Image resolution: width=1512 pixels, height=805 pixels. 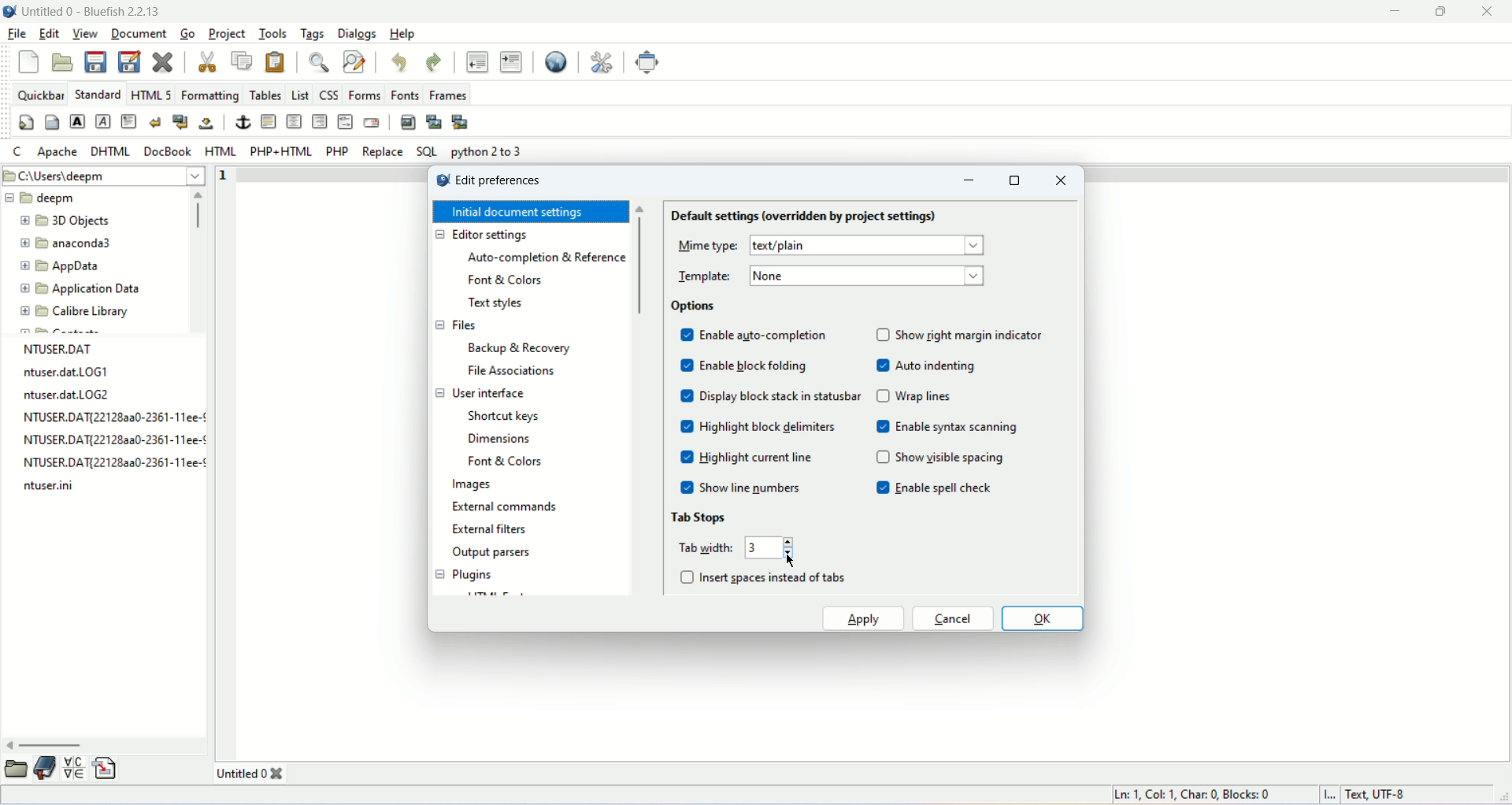 I want to click on 3D Objects, so click(x=83, y=221).